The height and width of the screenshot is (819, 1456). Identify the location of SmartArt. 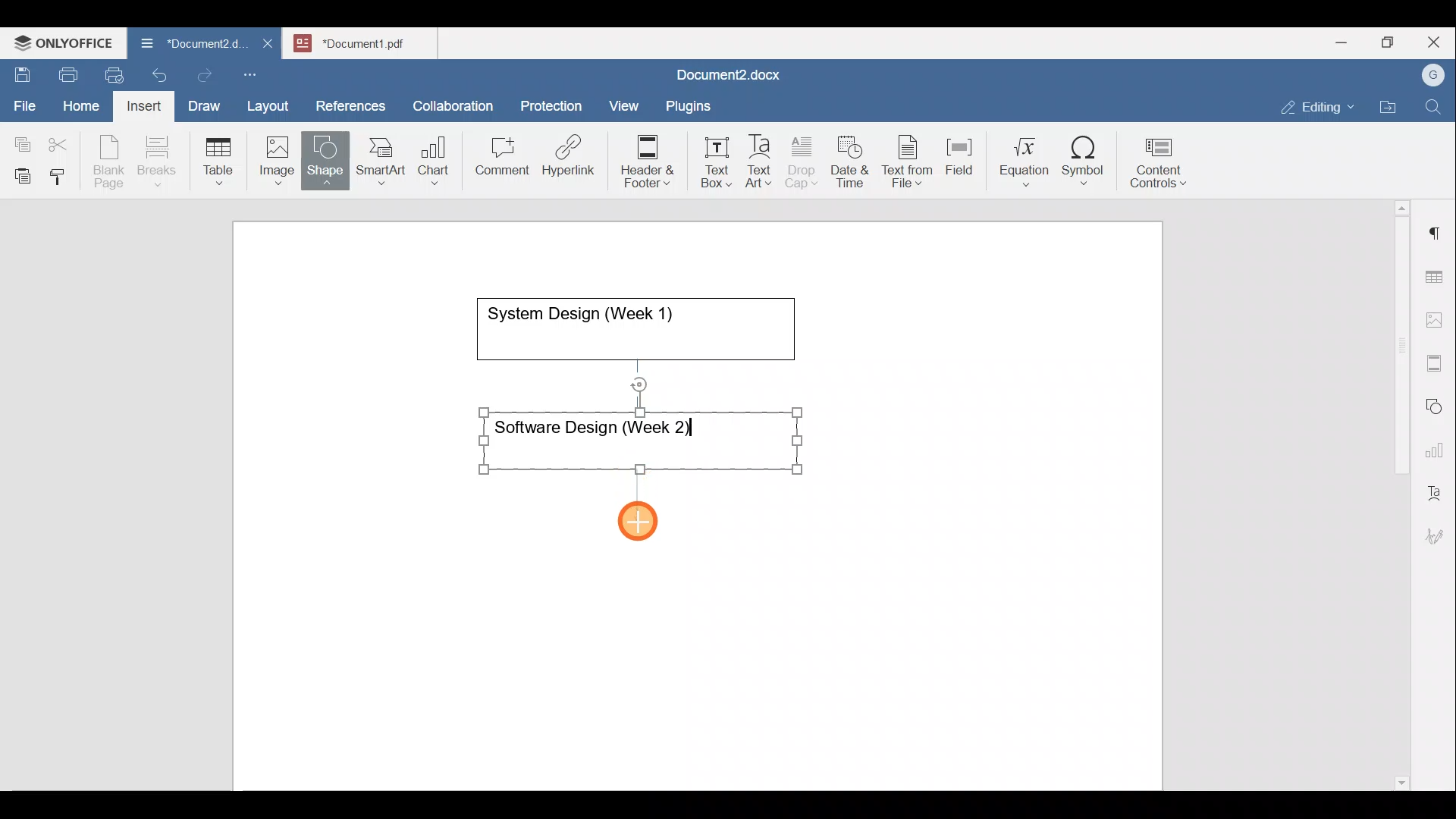
(378, 158).